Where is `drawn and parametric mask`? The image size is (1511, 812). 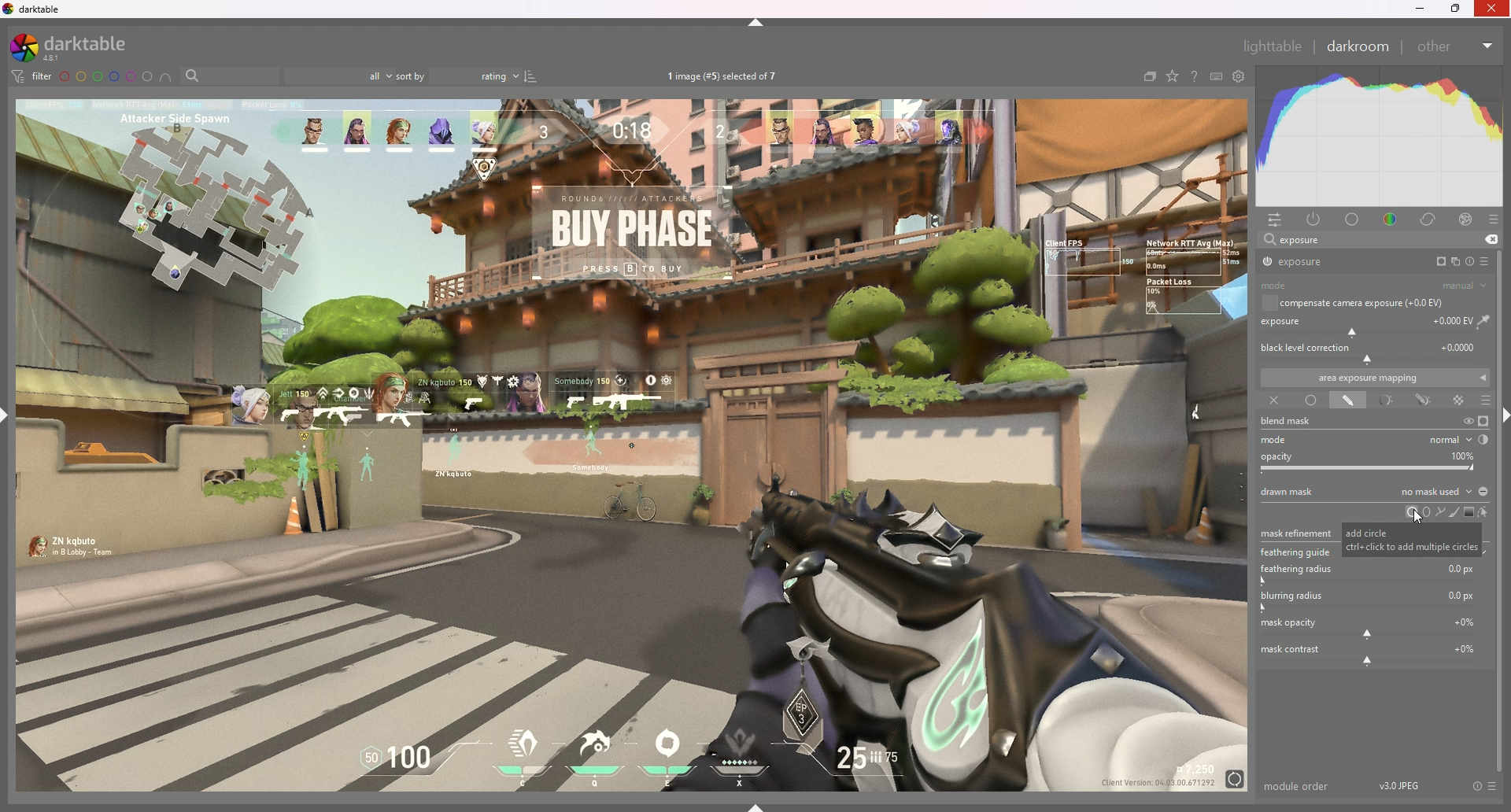
drawn and parametric mask is located at coordinates (1426, 400).